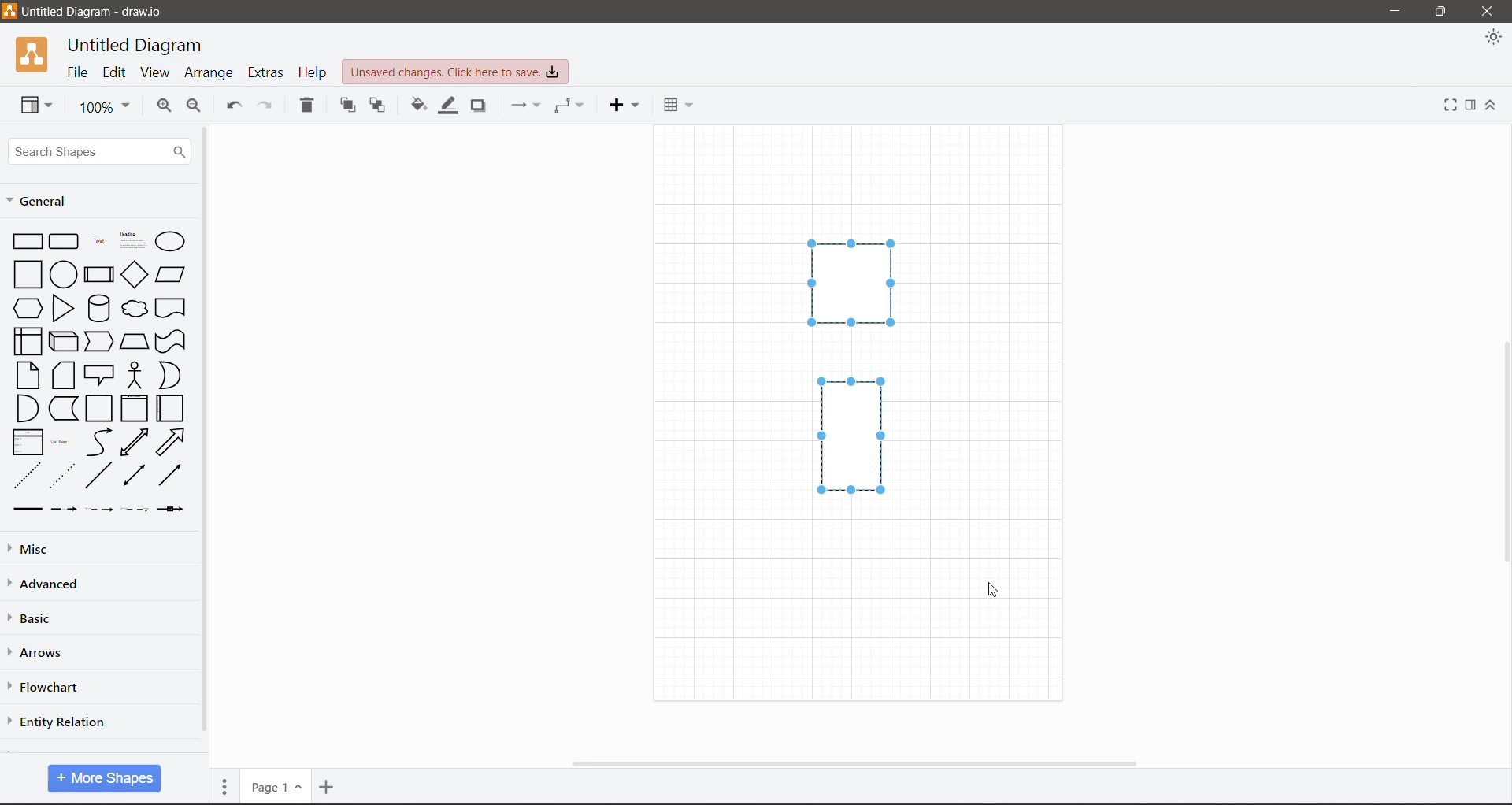 Image resolution: width=1512 pixels, height=805 pixels. I want to click on Table, so click(678, 104).